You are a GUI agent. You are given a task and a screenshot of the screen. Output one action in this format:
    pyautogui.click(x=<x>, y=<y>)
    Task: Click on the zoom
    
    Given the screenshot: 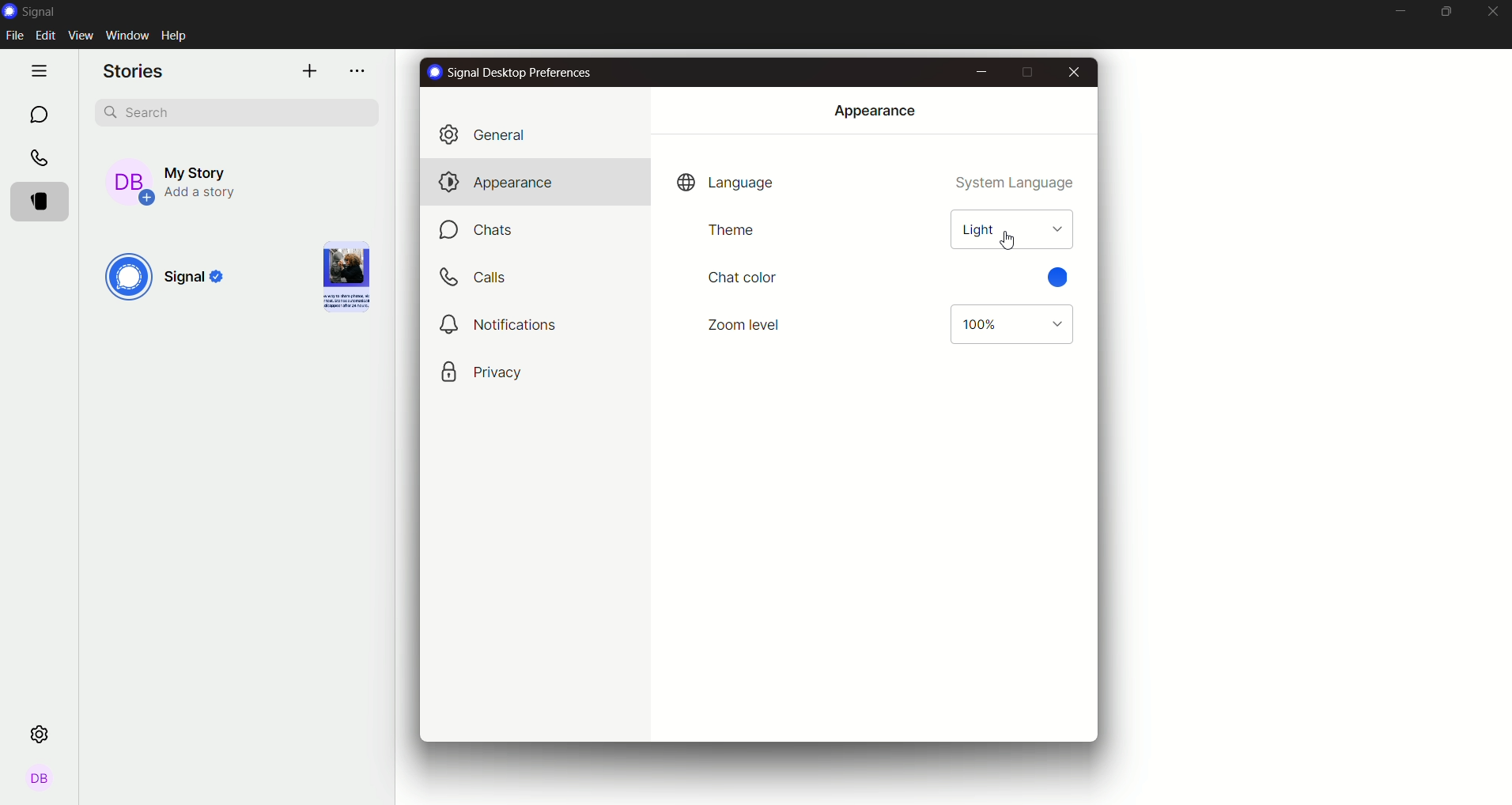 What is the action you would take?
    pyautogui.click(x=1009, y=325)
    